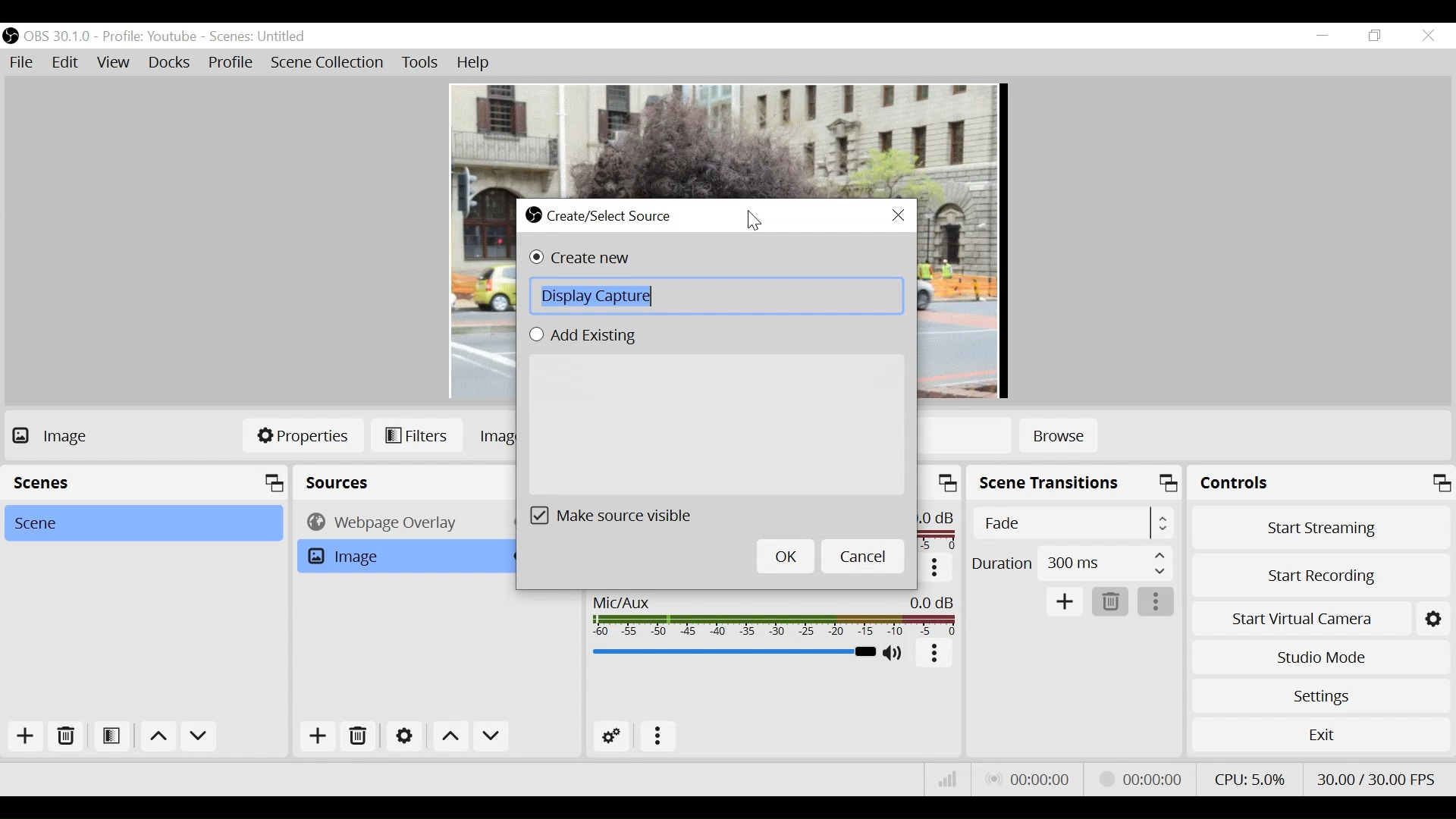 The height and width of the screenshot is (819, 1456). What do you see at coordinates (590, 335) in the screenshot?
I see `(un)select Add Existing` at bounding box center [590, 335].